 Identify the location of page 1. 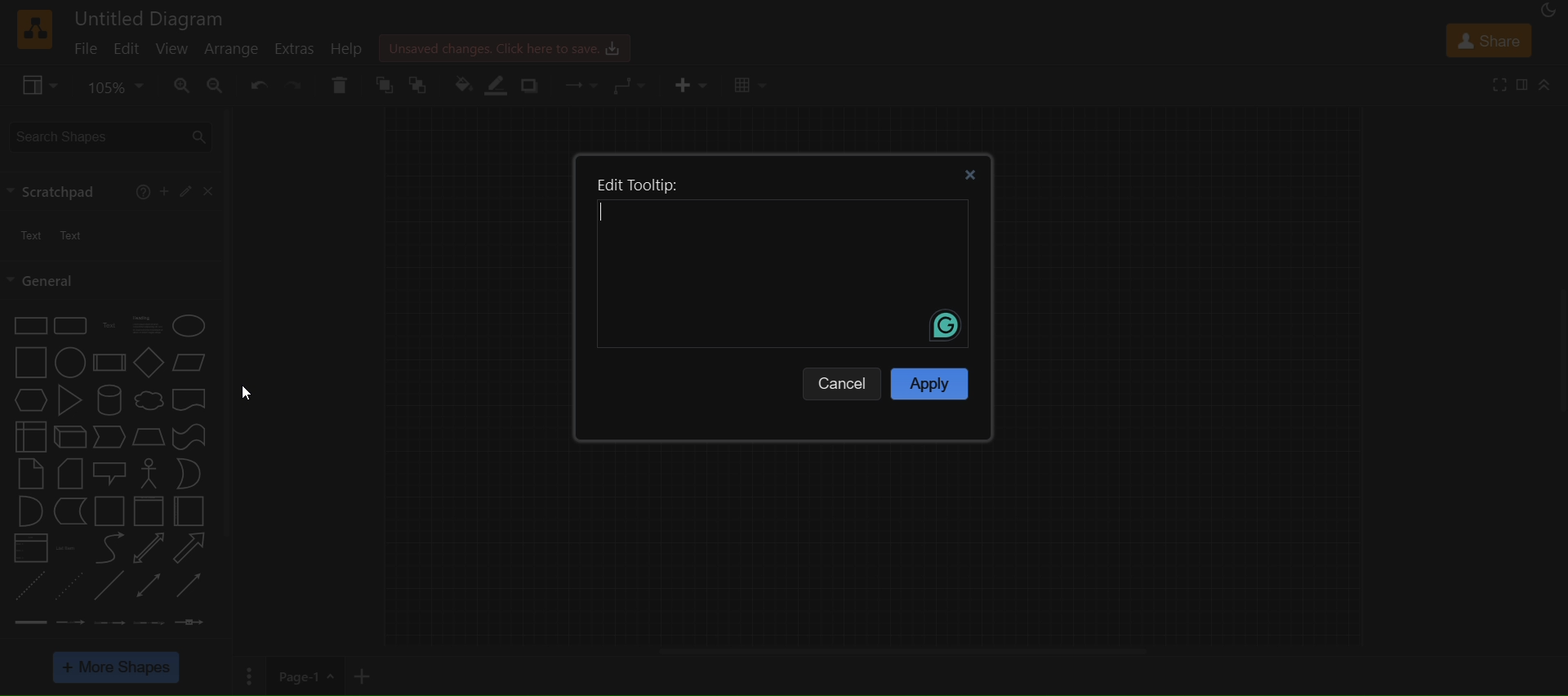
(291, 676).